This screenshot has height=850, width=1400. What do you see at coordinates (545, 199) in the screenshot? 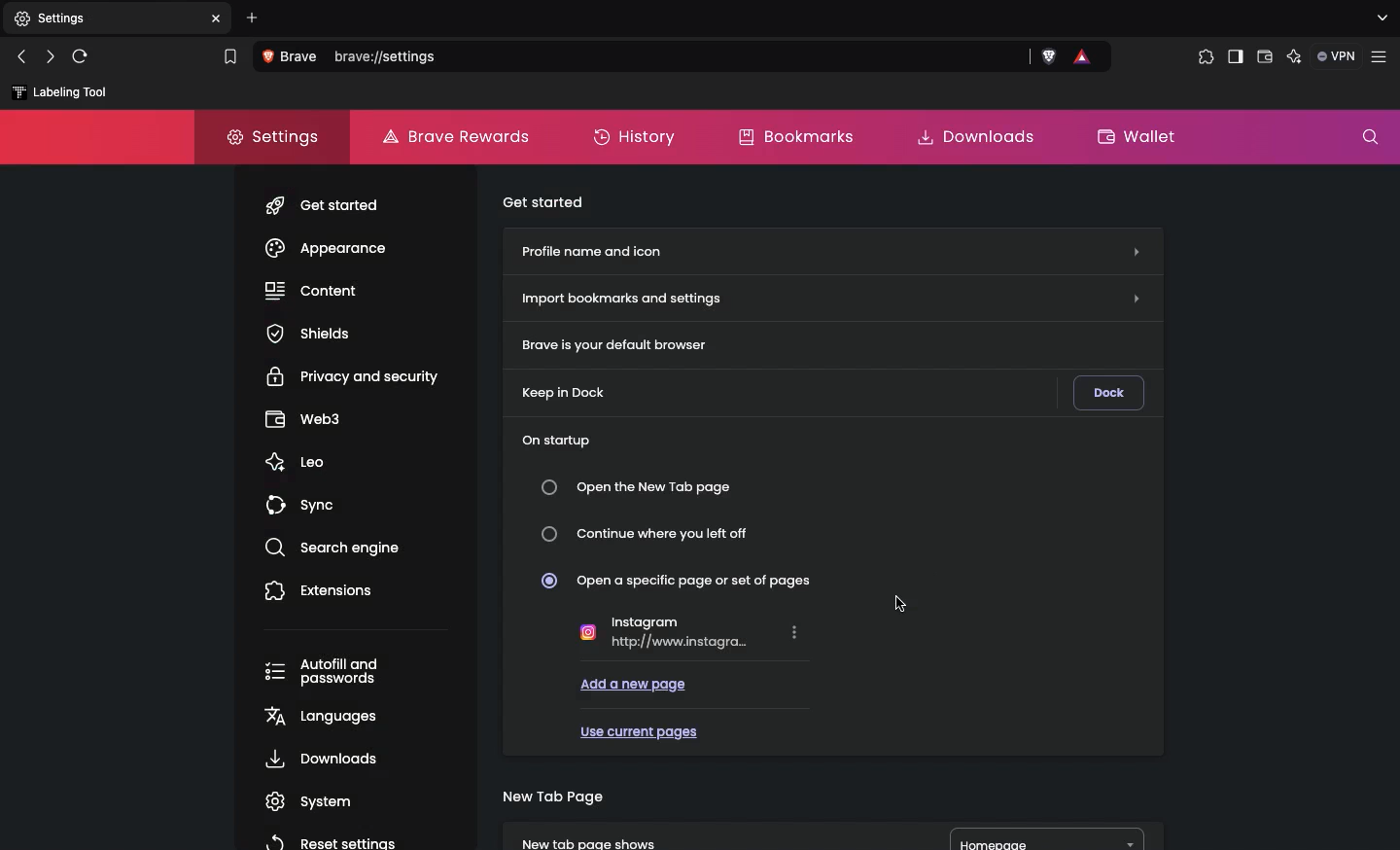
I see `Get started` at bounding box center [545, 199].